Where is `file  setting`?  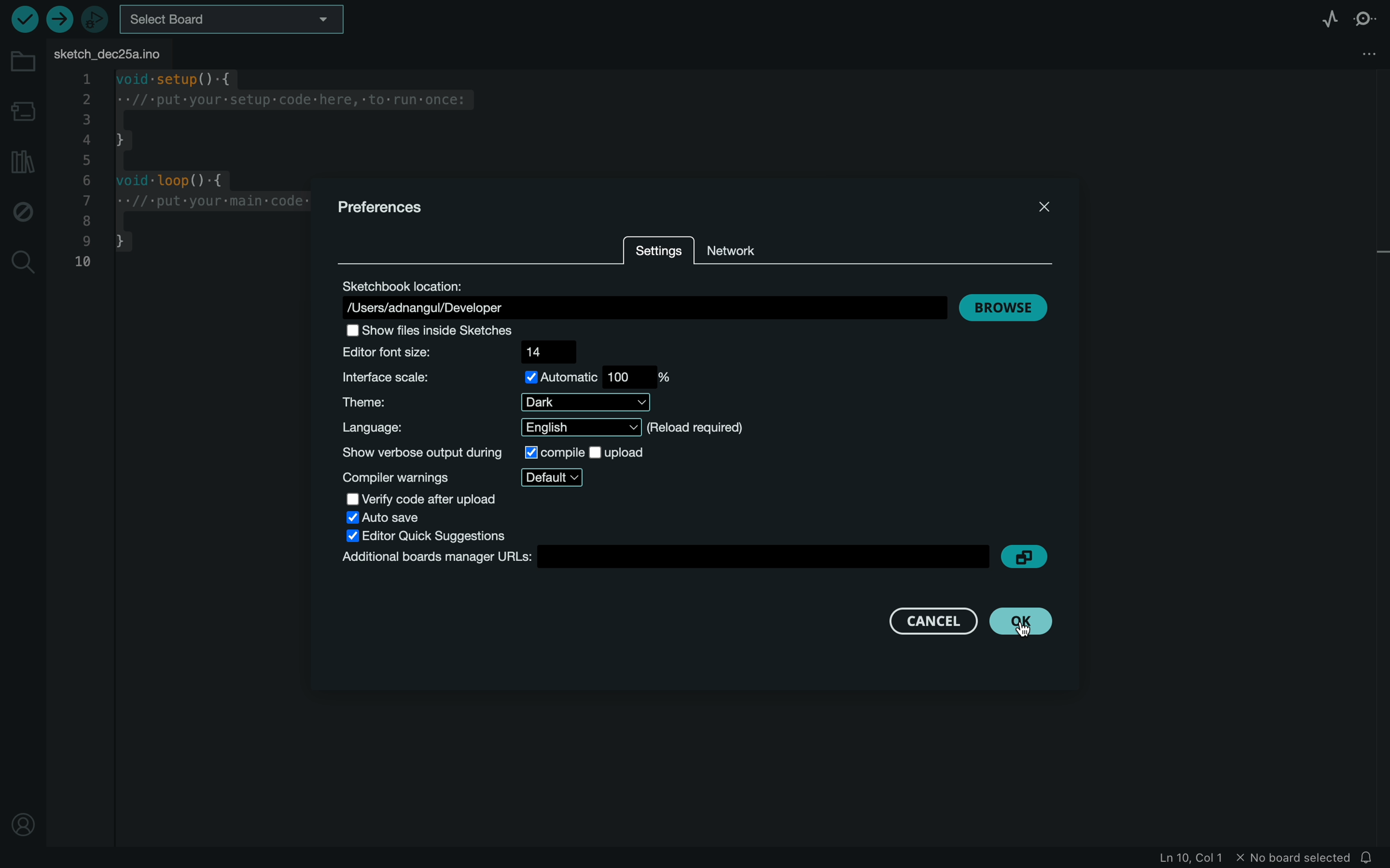
file  setting is located at coordinates (1347, 52).